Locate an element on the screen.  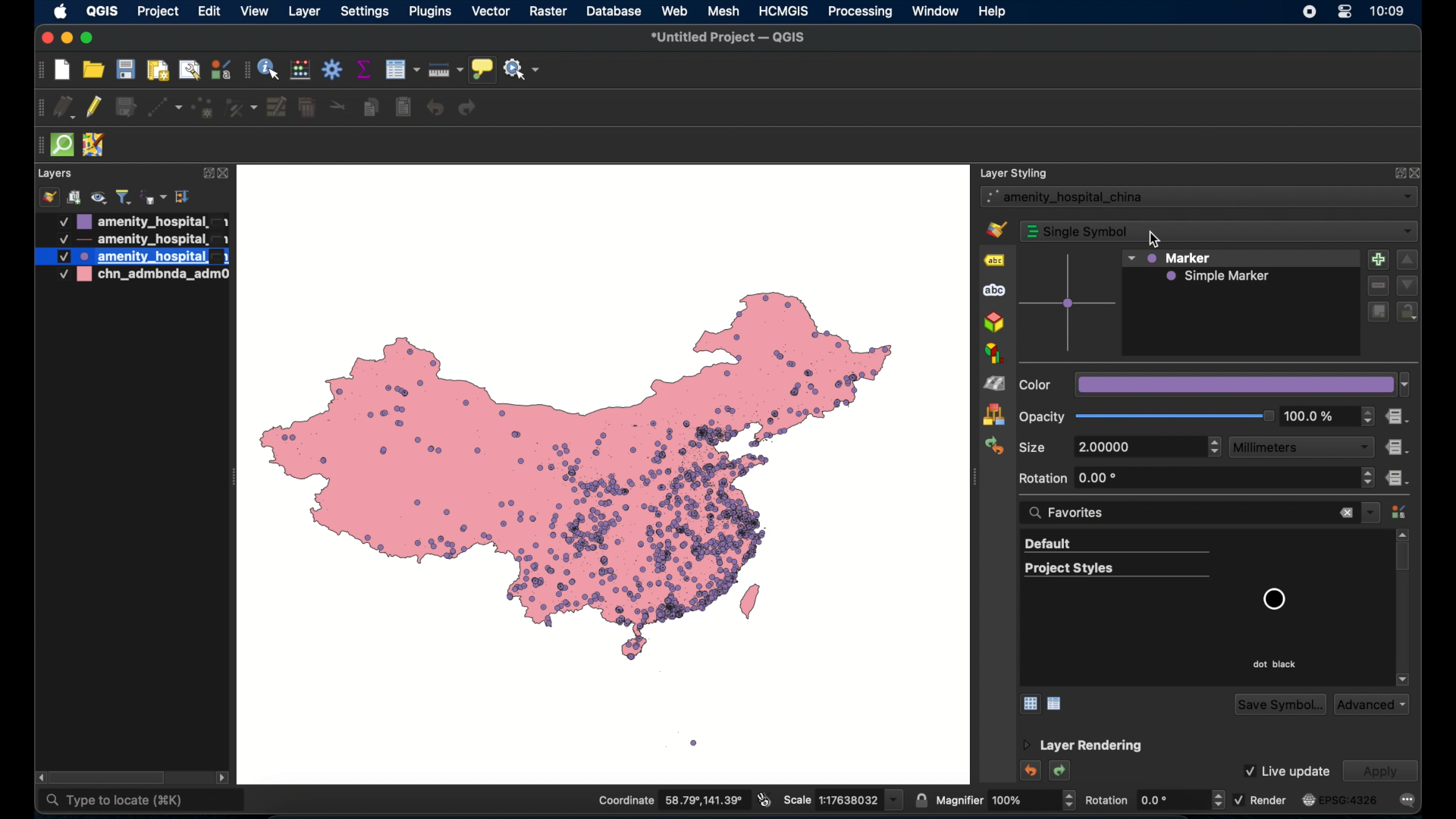
opacity slider is located at coordinates (1148, 417).